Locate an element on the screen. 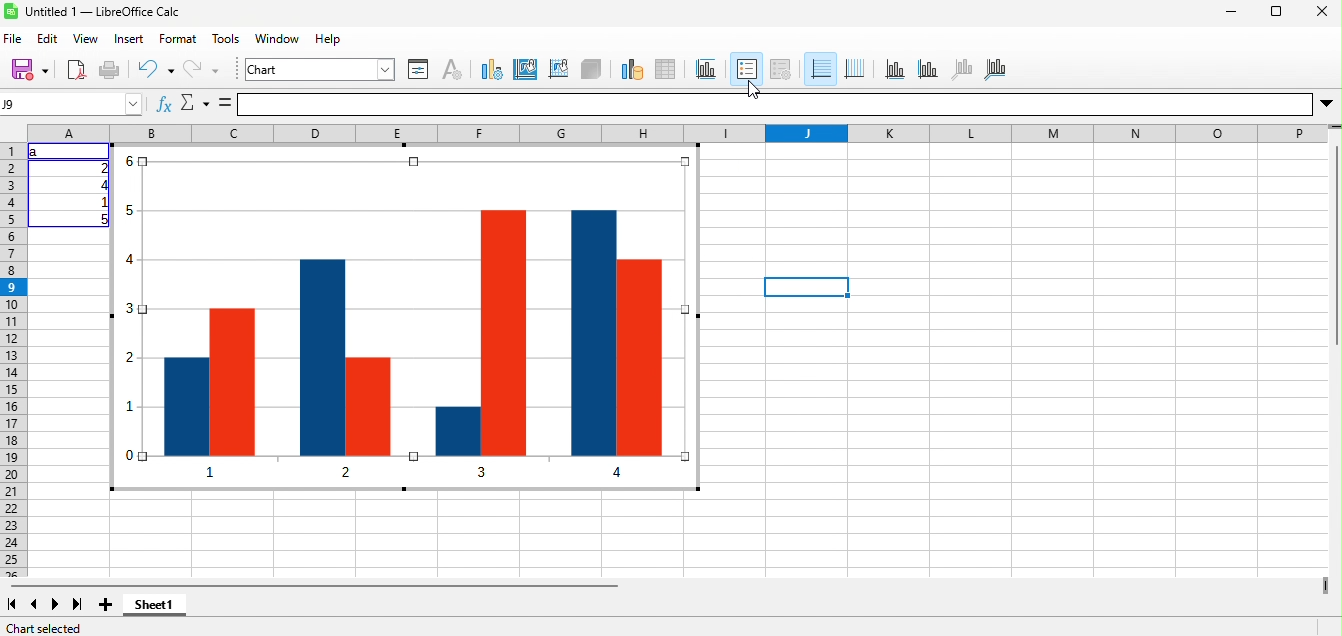 This screenshot has width=1342, height=636. edit is located at coordinates (47, 40).